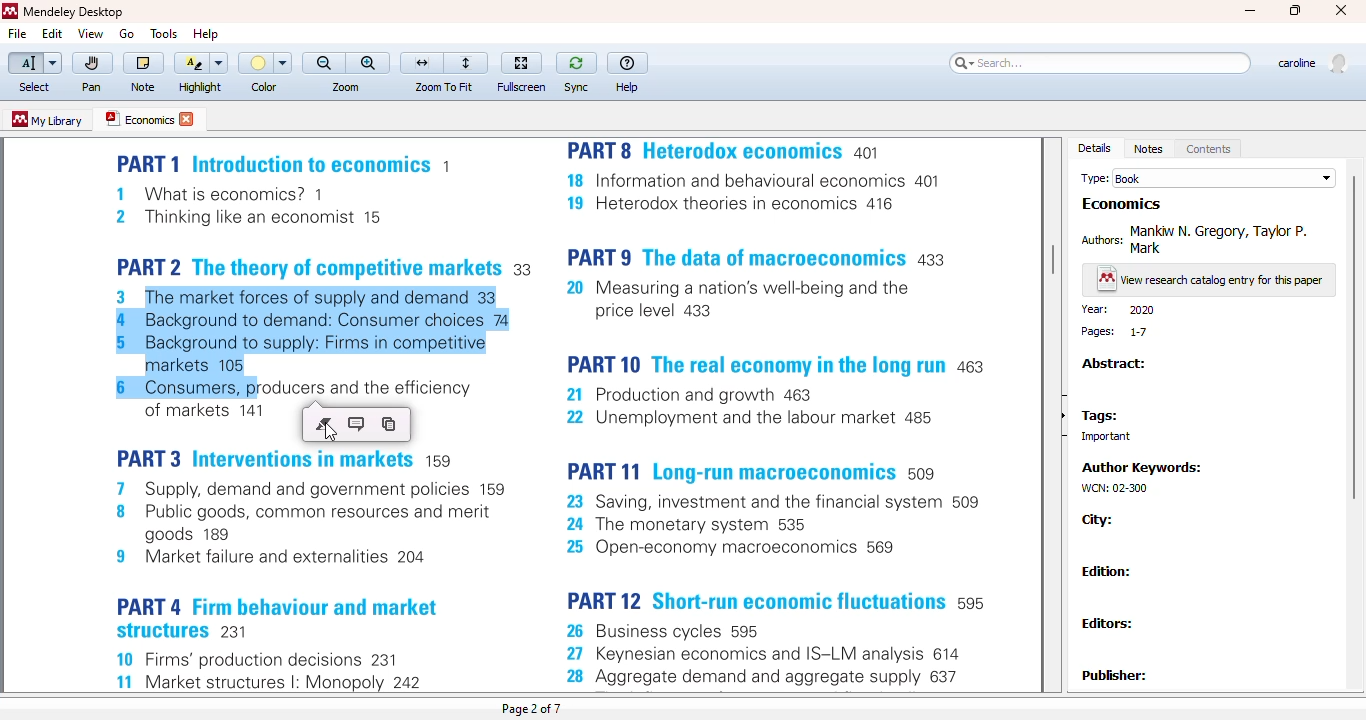 This screenshot has width=1366, height=720. What do you see at coordinates (90, 33) in the screenshot?
I see `view` at bounding box center [90, 33].